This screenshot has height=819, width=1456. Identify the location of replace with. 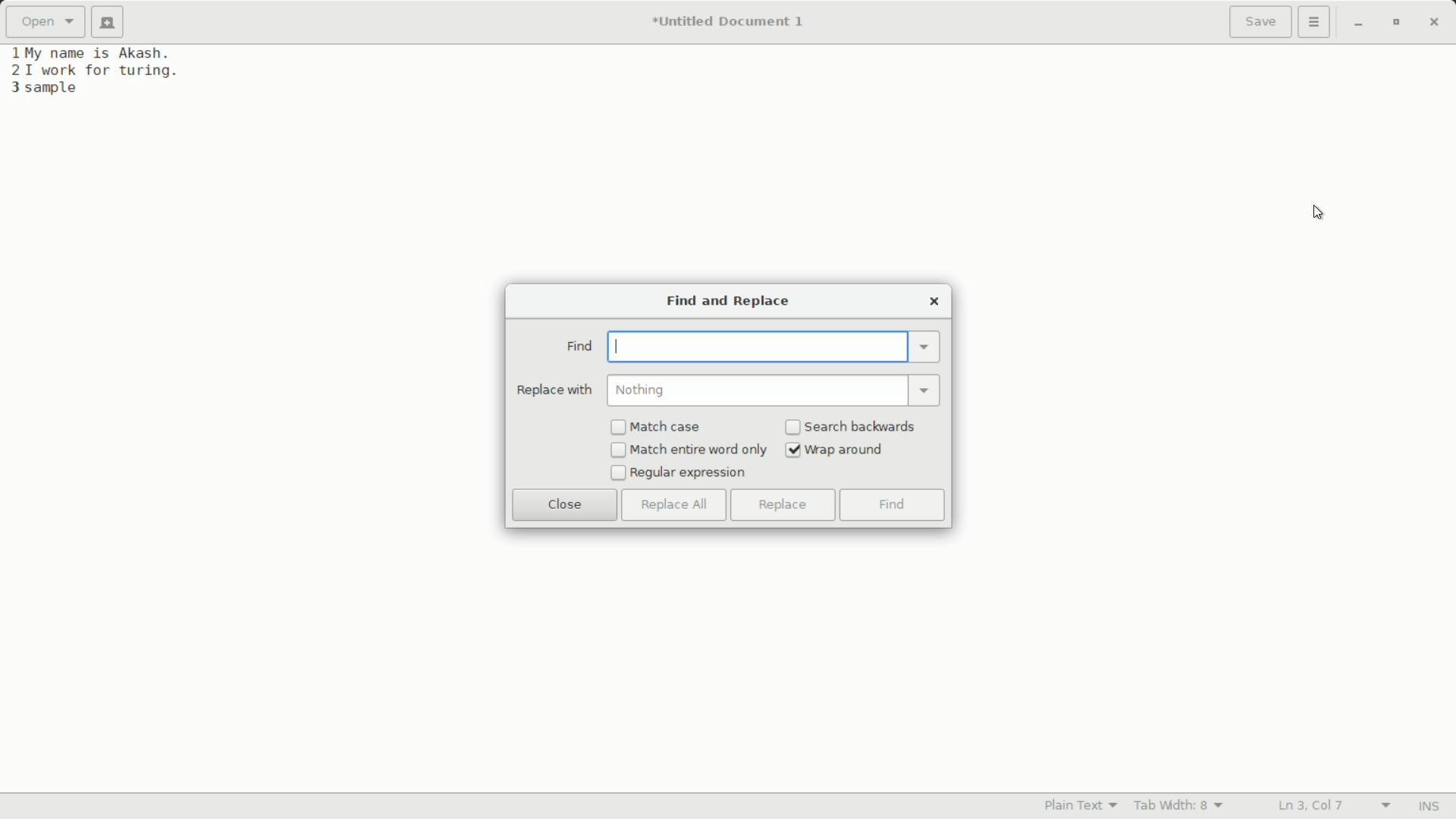
(554, 390).